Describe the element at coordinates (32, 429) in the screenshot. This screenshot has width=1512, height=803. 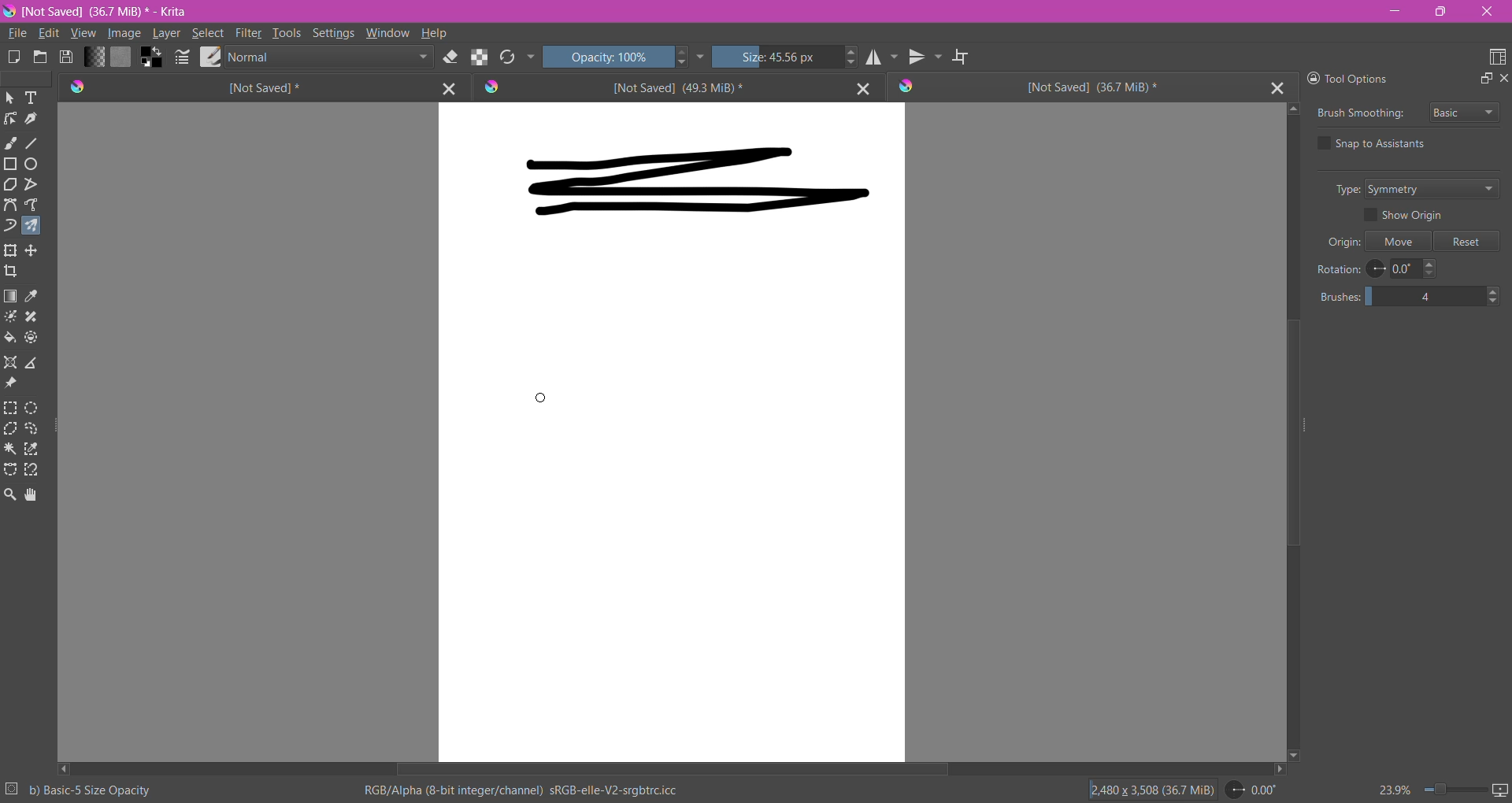
I see `Freehand Selection Tool` at that location.